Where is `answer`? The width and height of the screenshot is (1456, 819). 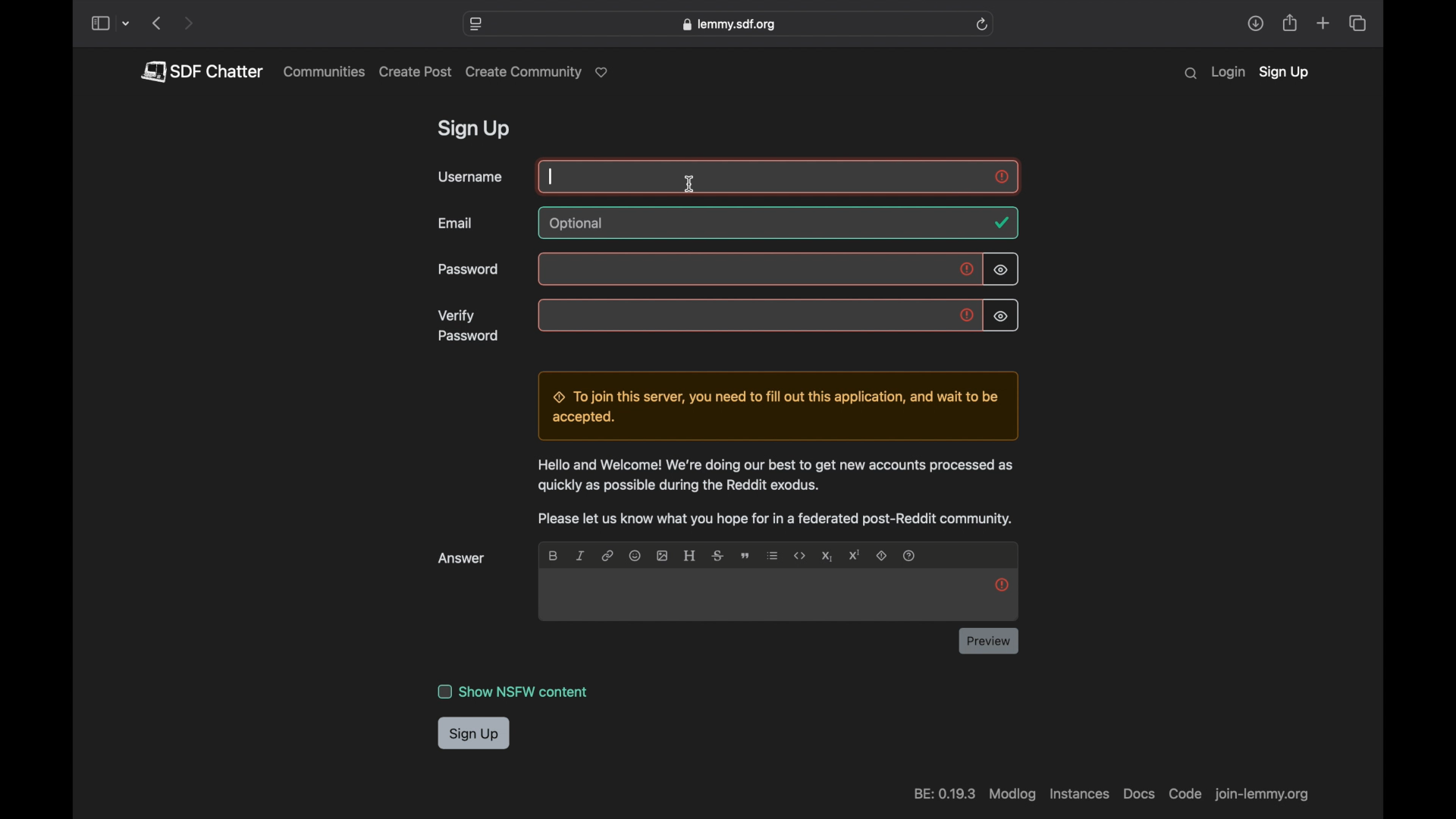
answer is located at coordinates (463, 558).